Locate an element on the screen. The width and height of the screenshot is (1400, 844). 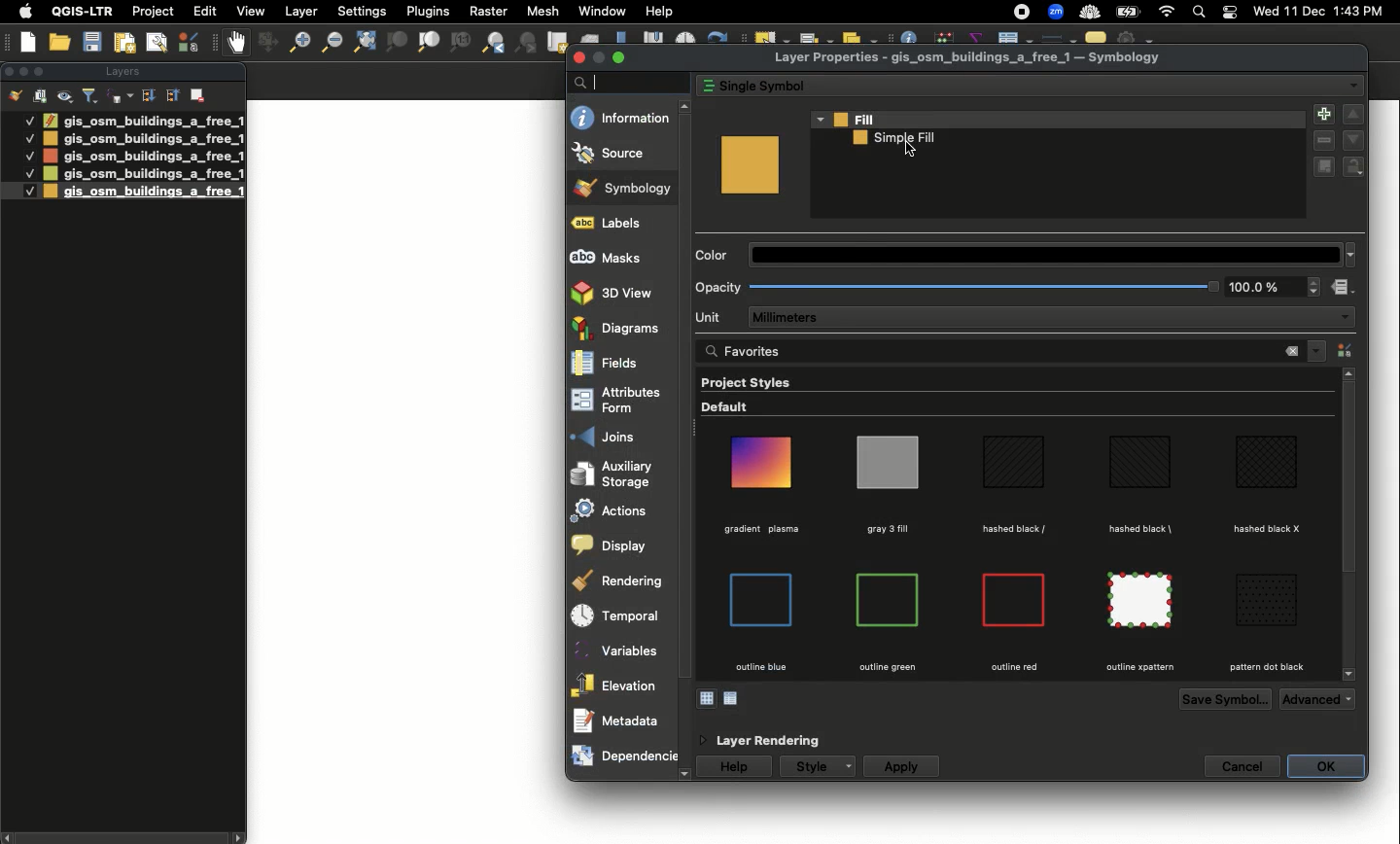
‘outline xpattern is located at coordinates (1137, 667).